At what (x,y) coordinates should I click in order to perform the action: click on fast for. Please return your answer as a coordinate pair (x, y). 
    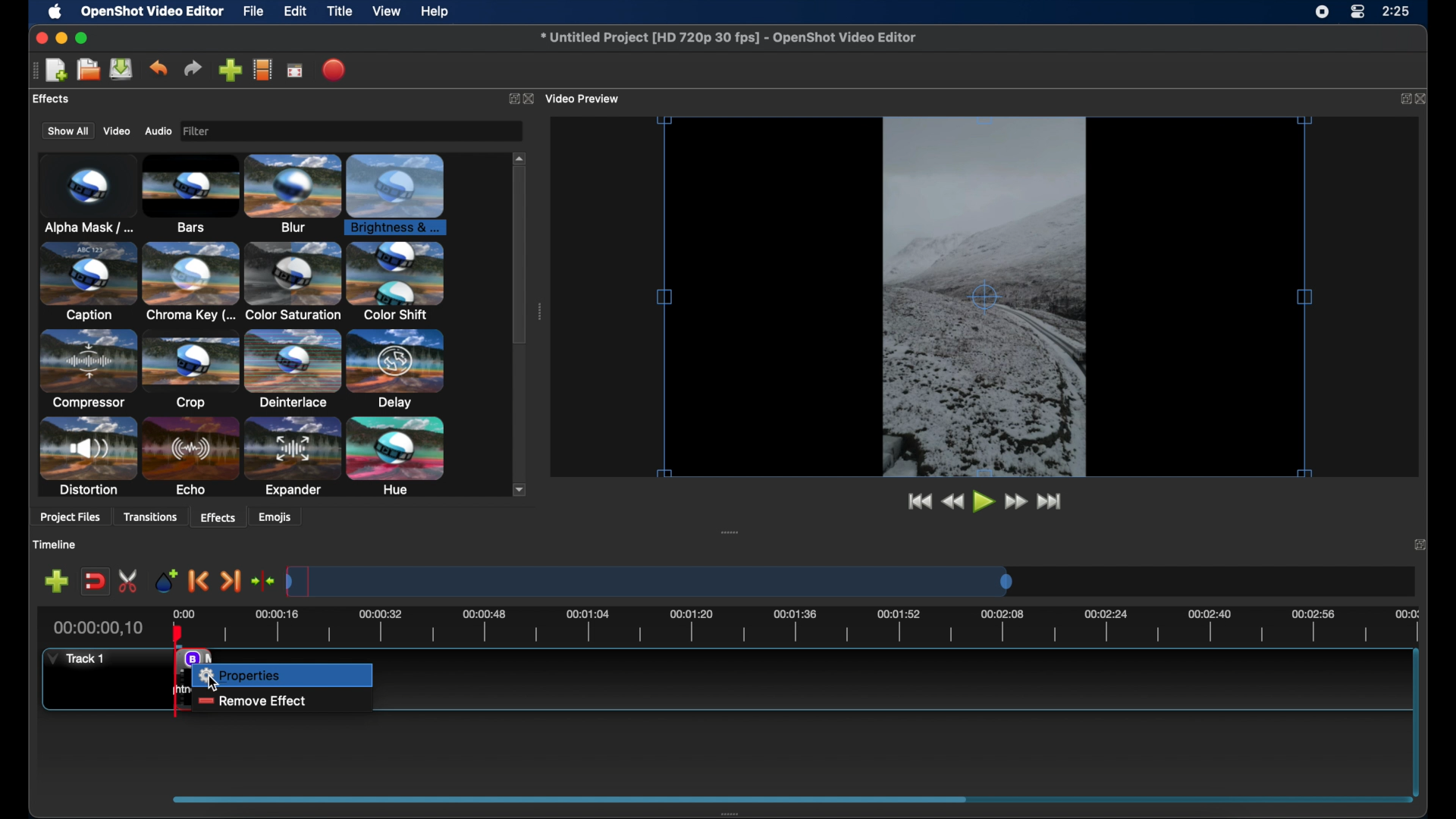
    Looking at the image, I should click on (1015, 502).